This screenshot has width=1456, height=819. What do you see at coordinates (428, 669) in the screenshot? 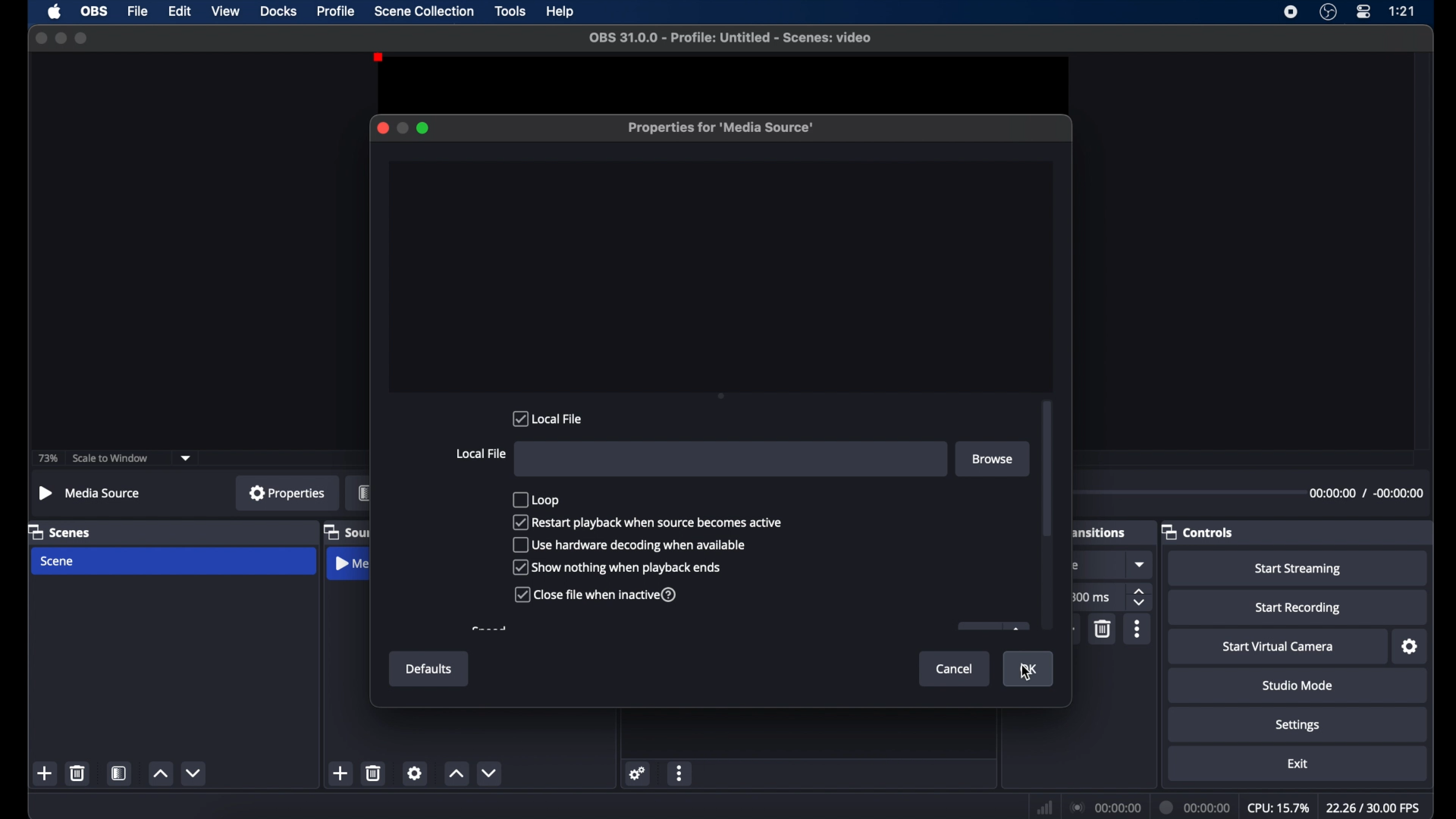
I see `defaults` at bounding box center [428, 669].